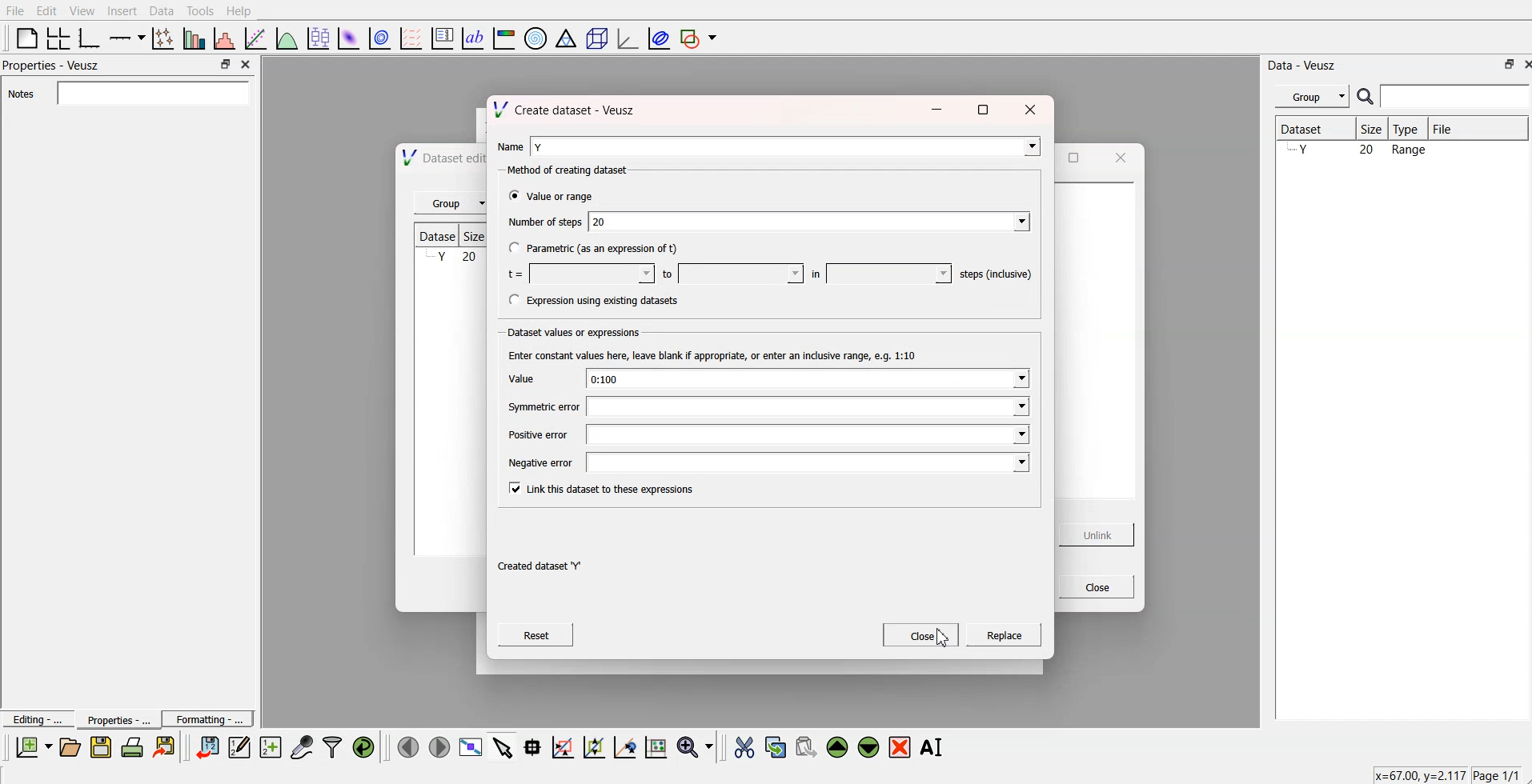 Image resolution: width=1532 pixels, height=784 pixels. Describe the element at coordinates (256, 38) in the screenshot. I see `fit a function to data` at that location.